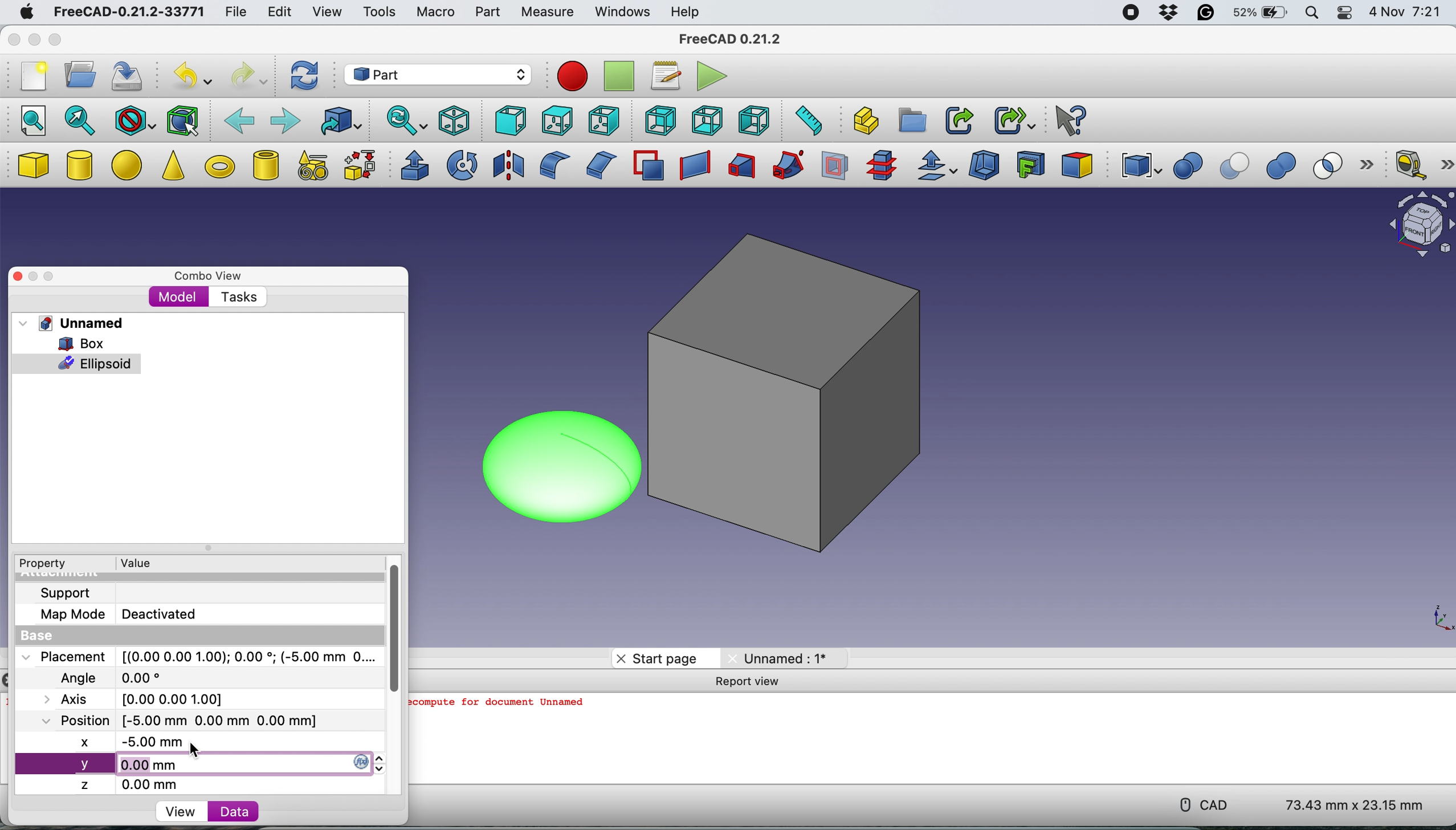  Describe the element at coordinates (12, 40) in the screenshot. I see `close` at that location.